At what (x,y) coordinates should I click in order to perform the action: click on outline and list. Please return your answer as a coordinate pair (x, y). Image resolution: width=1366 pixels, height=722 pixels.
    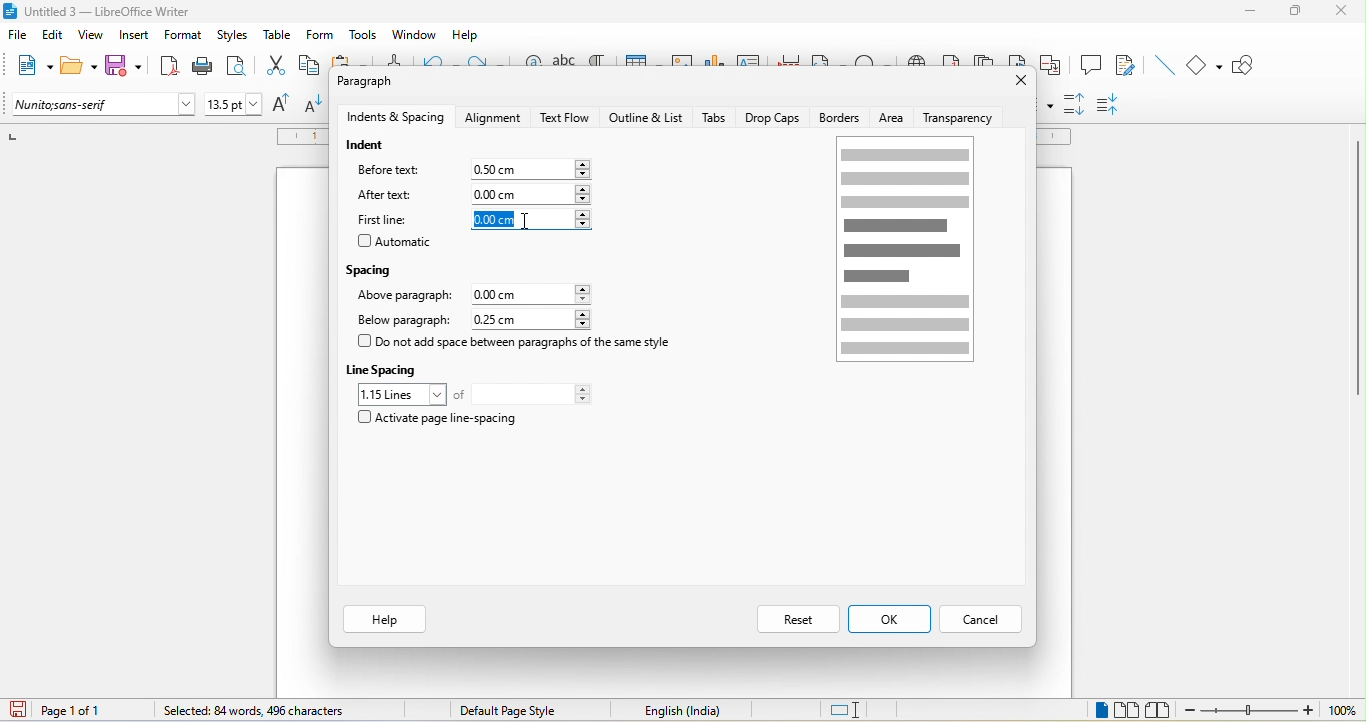
    Looking at the image, I should click on (644, 116).